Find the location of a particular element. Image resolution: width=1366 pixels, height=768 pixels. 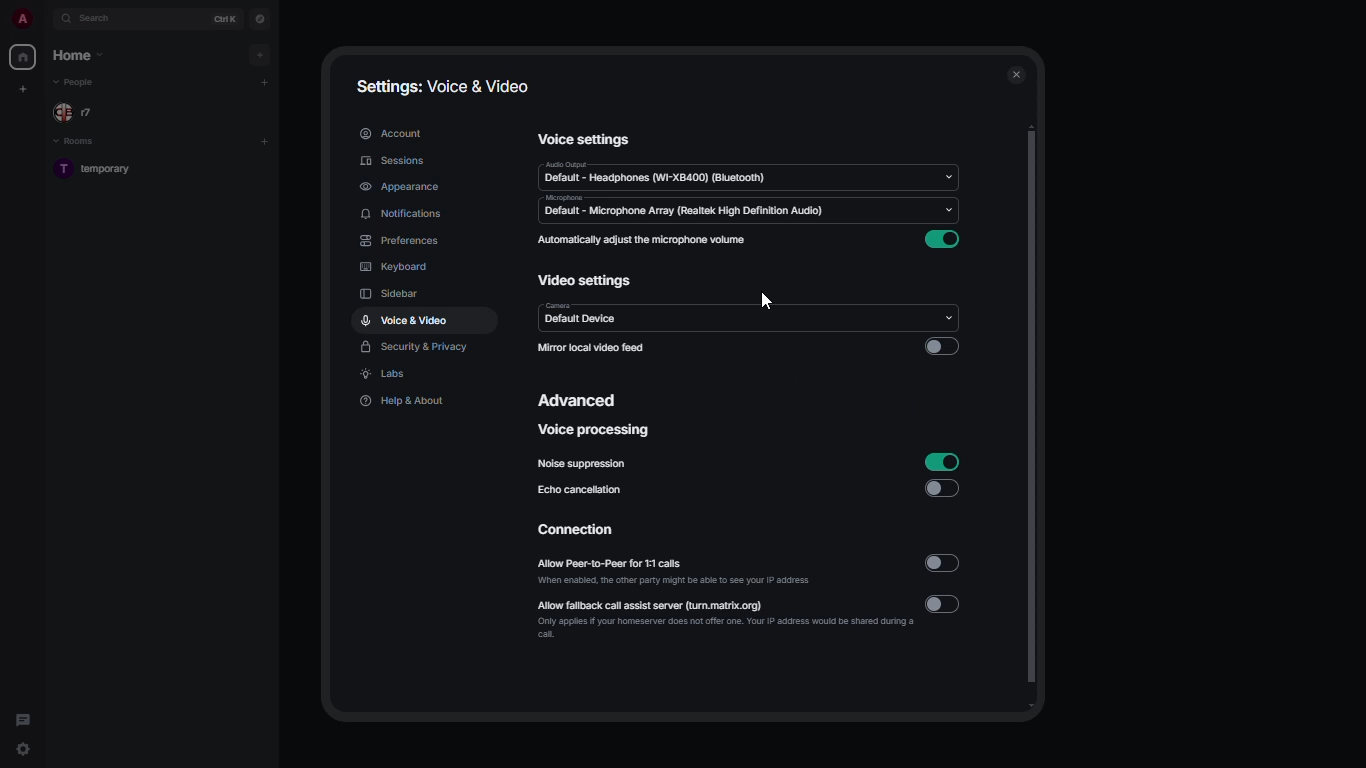

people is located at coordinates (77, 82).